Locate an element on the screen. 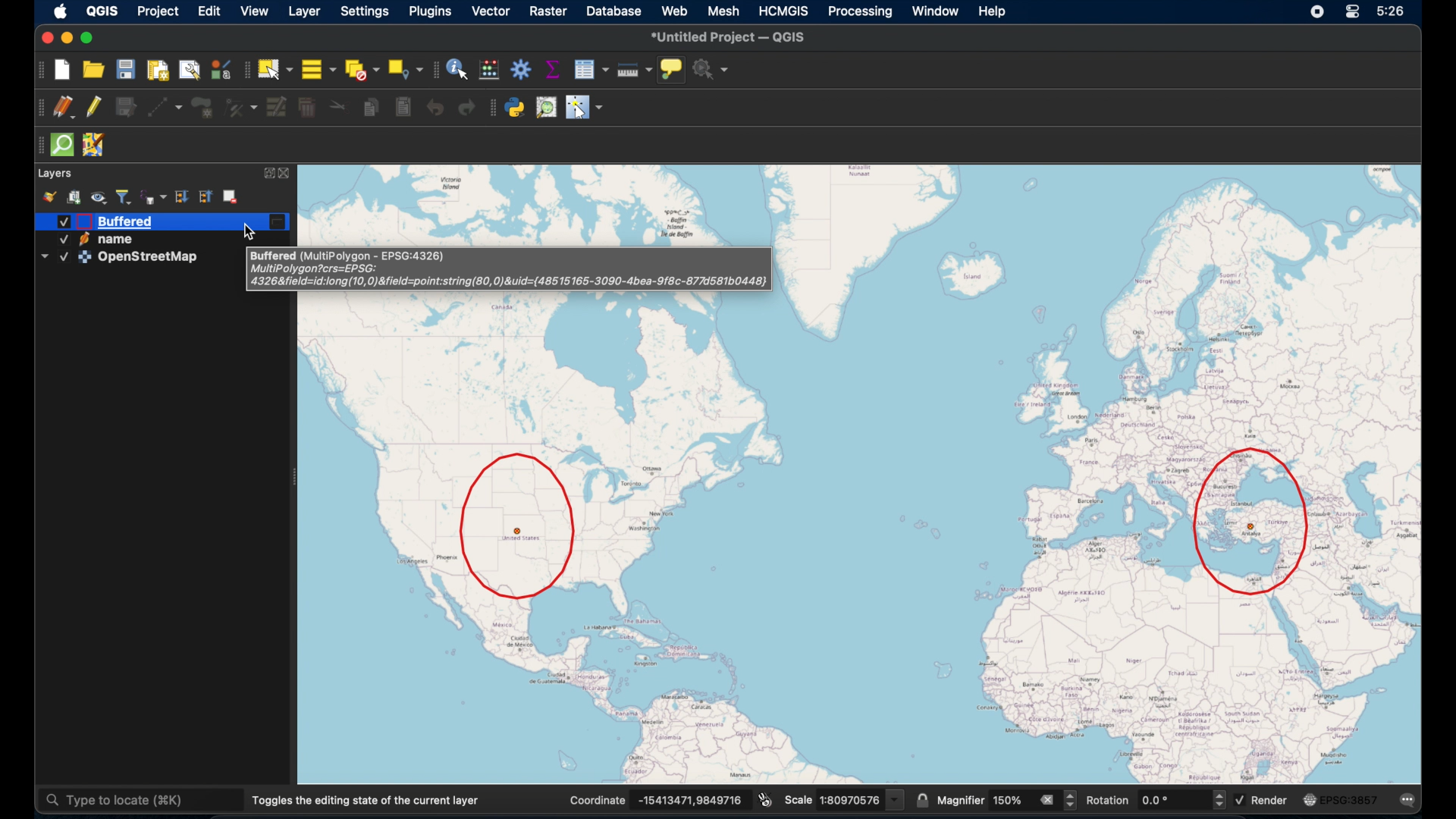  layers is located at coordinates (55, 171).